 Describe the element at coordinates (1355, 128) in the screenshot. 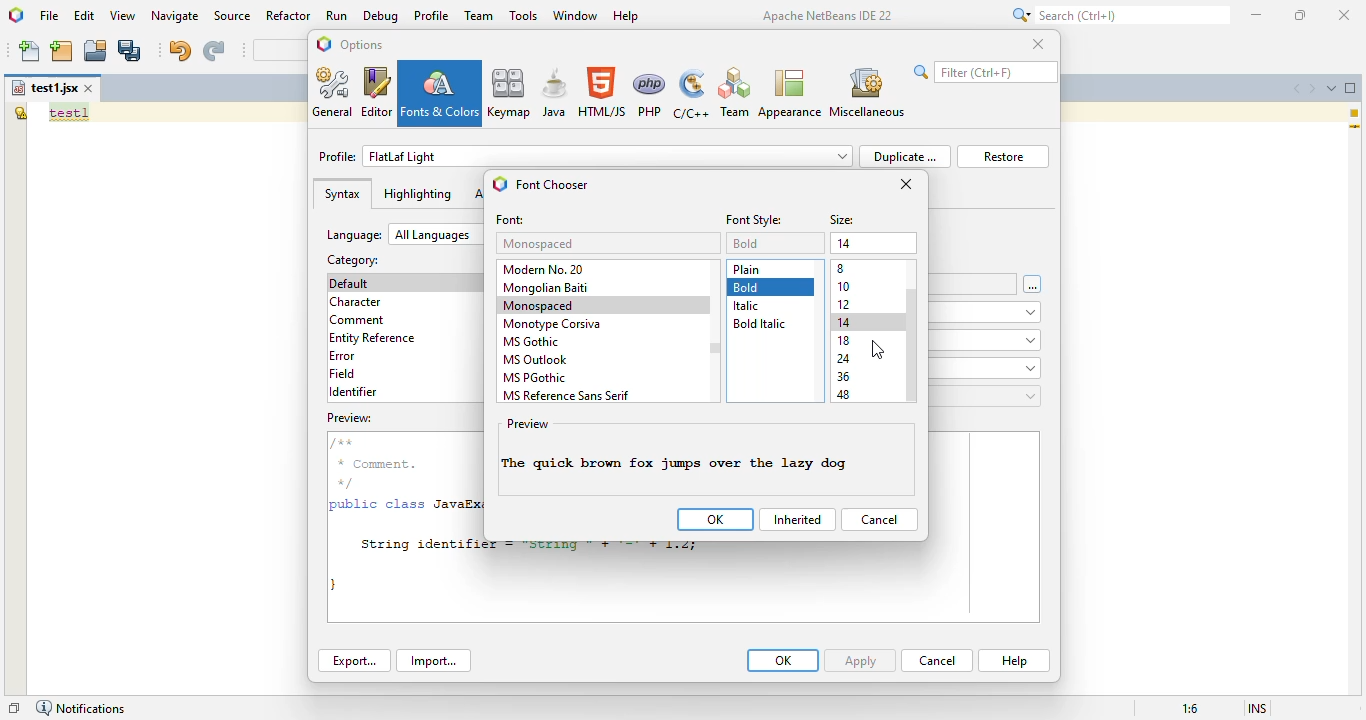

I see `current line` at that location.